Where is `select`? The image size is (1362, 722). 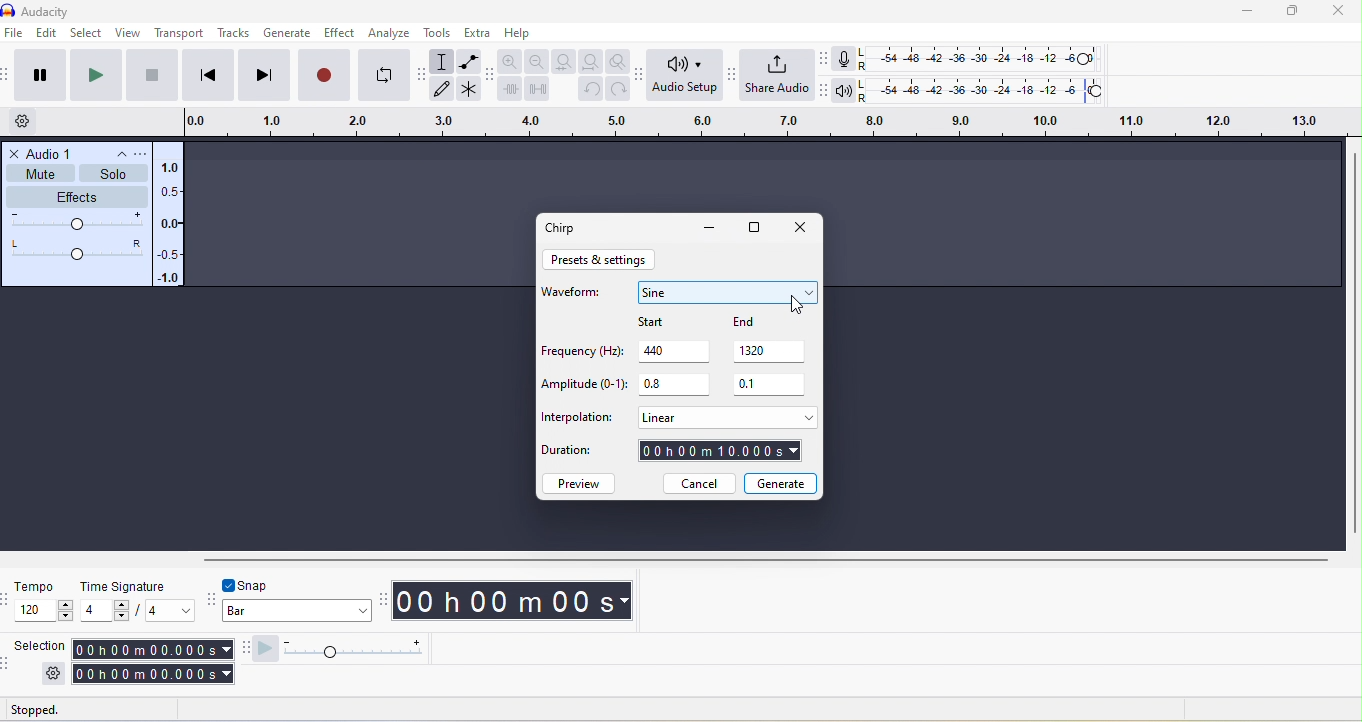 select is located at coordinates (86, 34).